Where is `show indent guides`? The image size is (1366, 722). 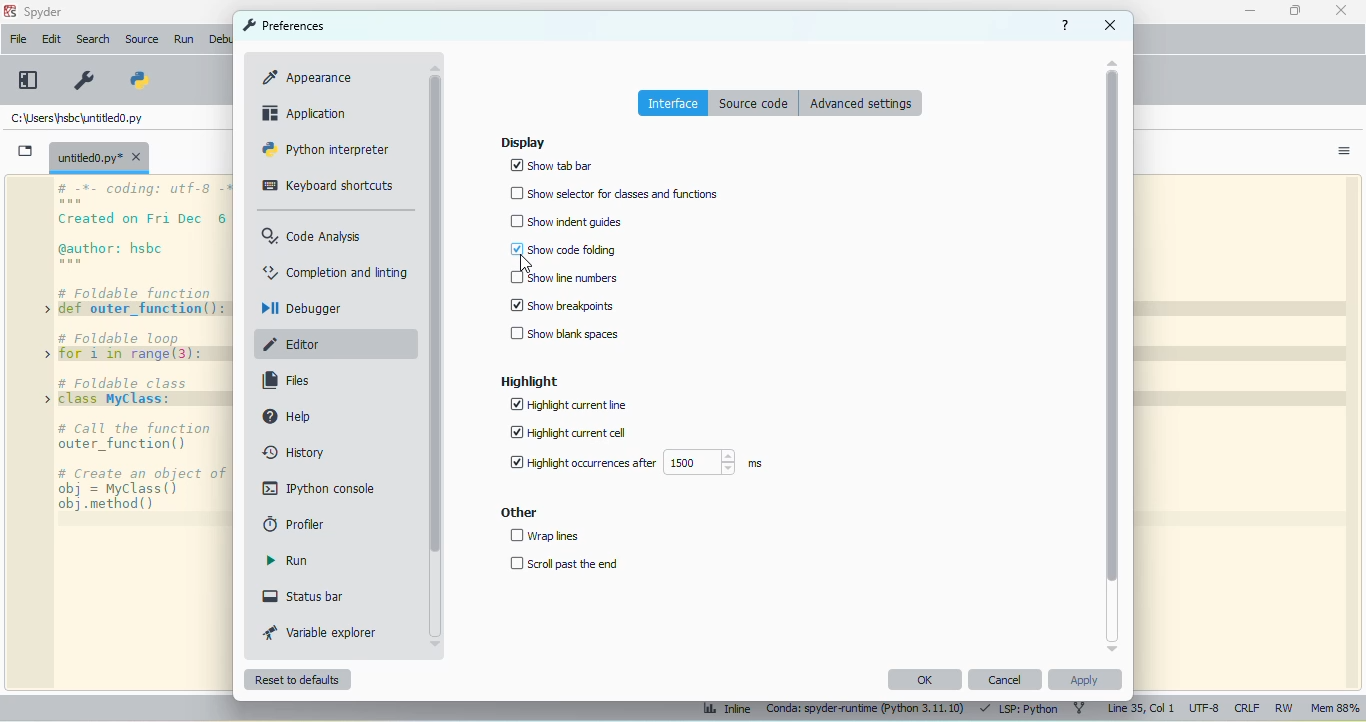 show indent guides is located at coordinates (565, 221).